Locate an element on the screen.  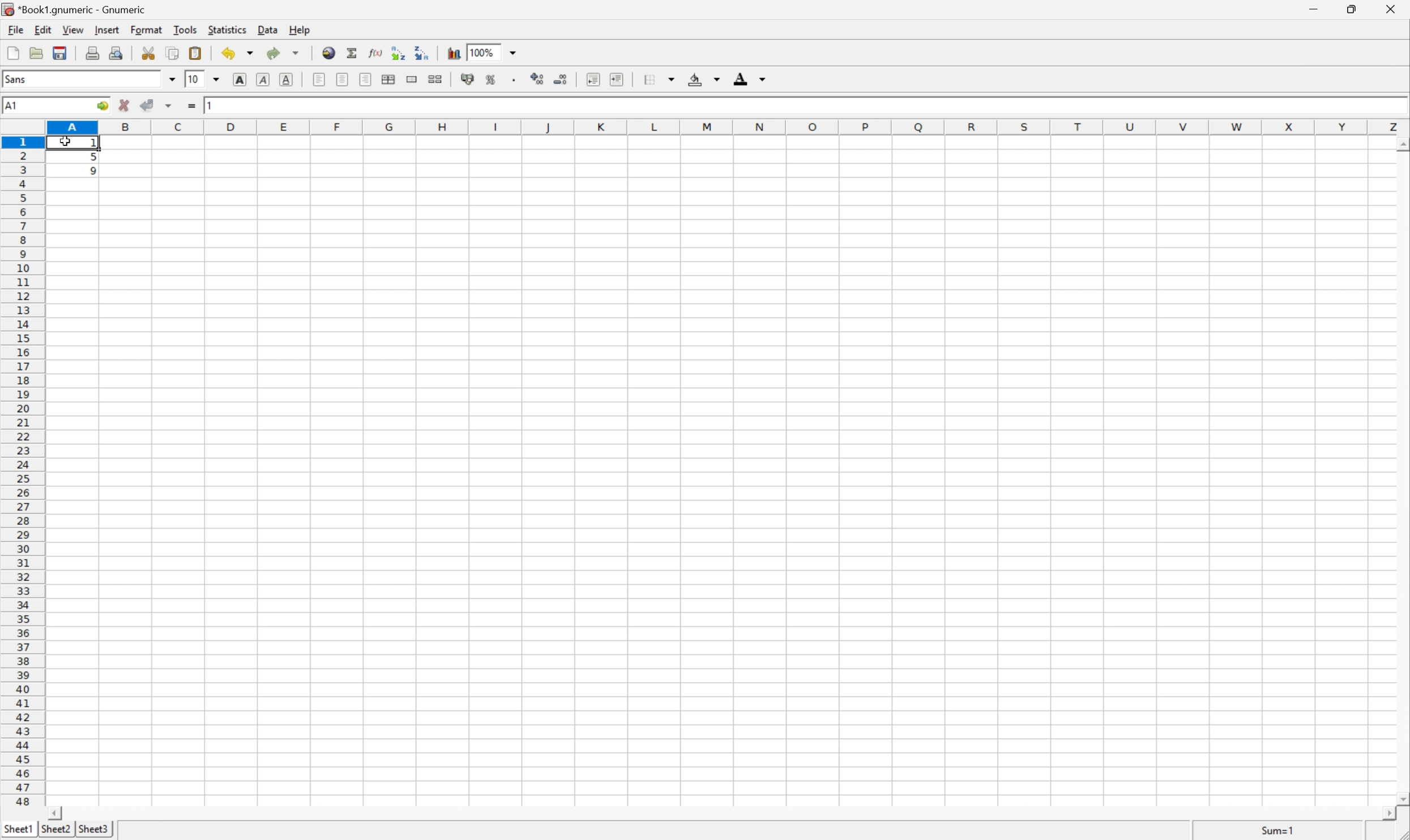
italic is located at coordinates (264, 78).